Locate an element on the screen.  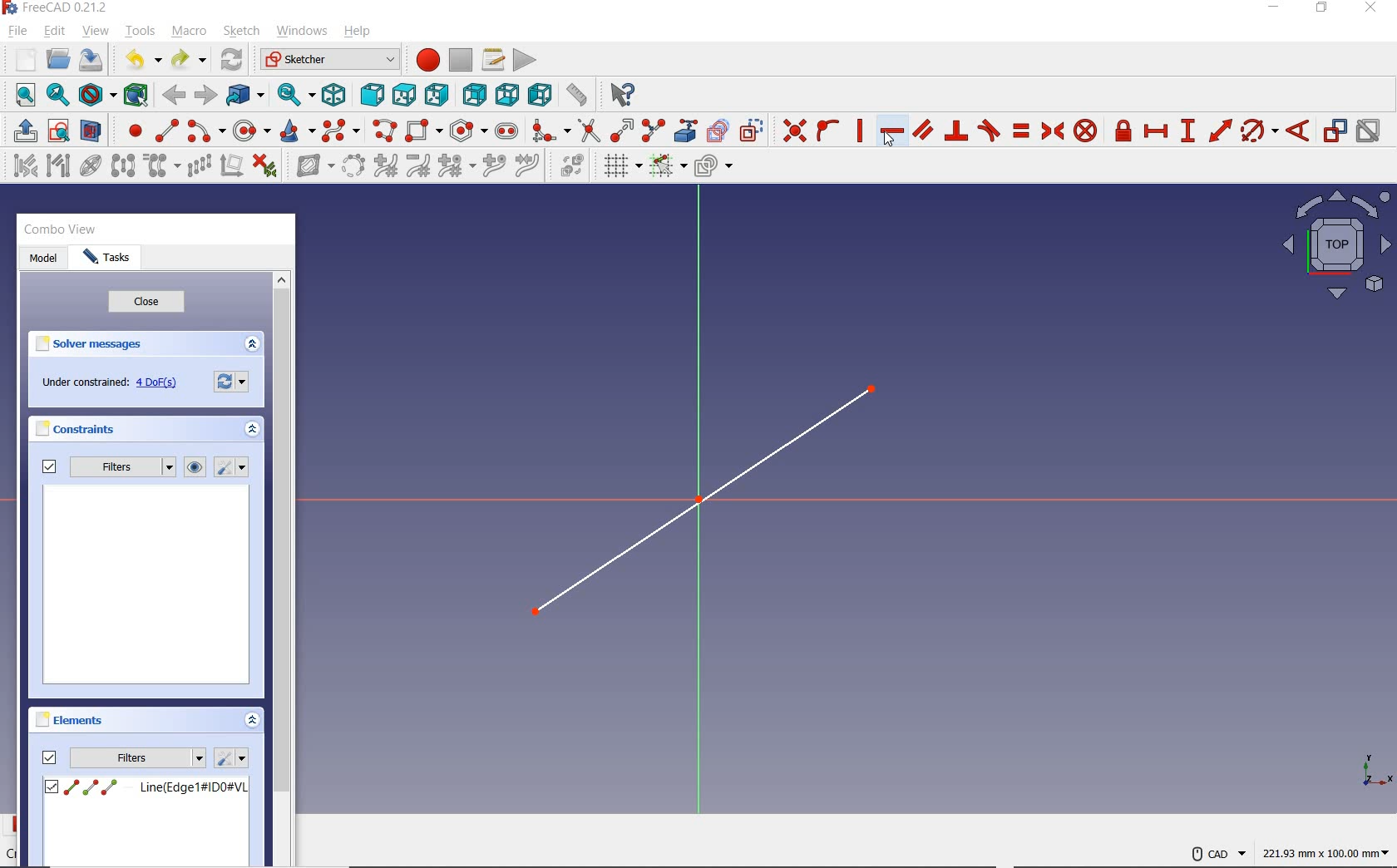
SYMMETRY is located at coordinates (123, 165).